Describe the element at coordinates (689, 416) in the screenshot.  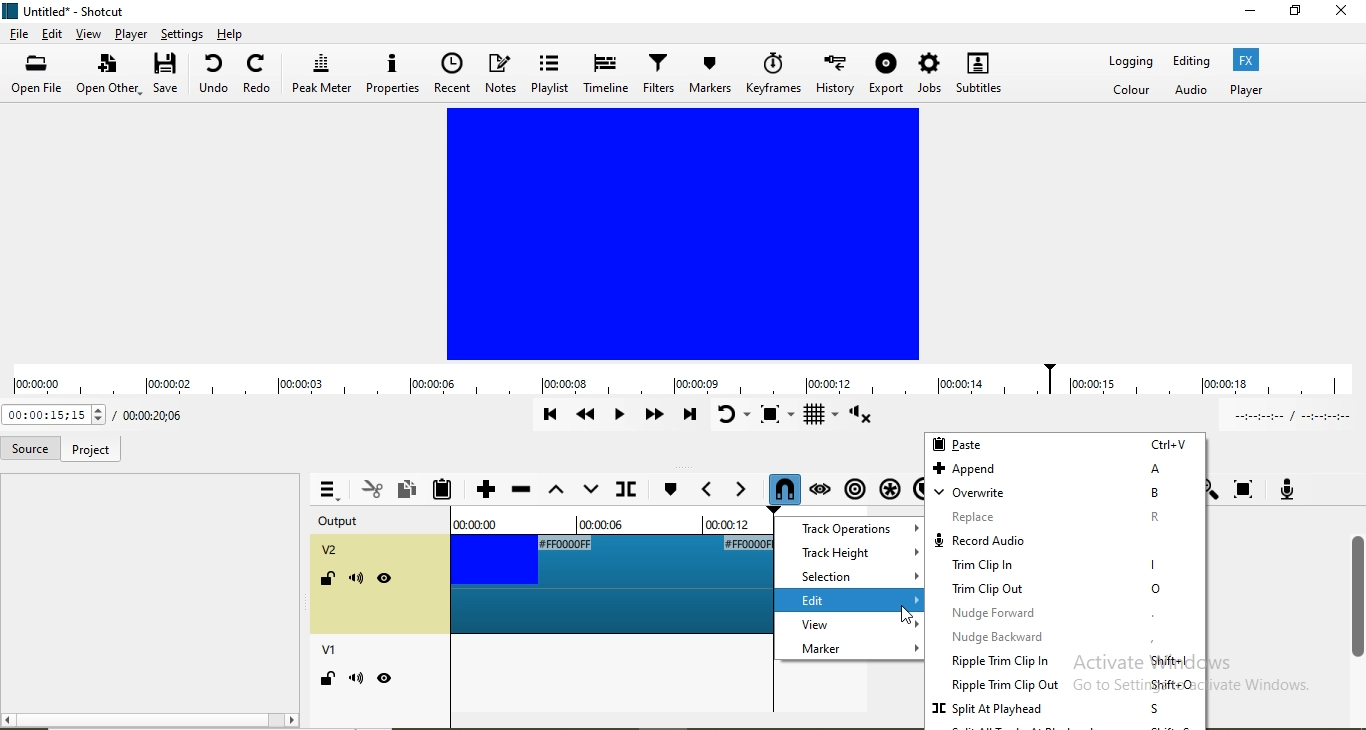
I see `Skip to the next point ` at that location.